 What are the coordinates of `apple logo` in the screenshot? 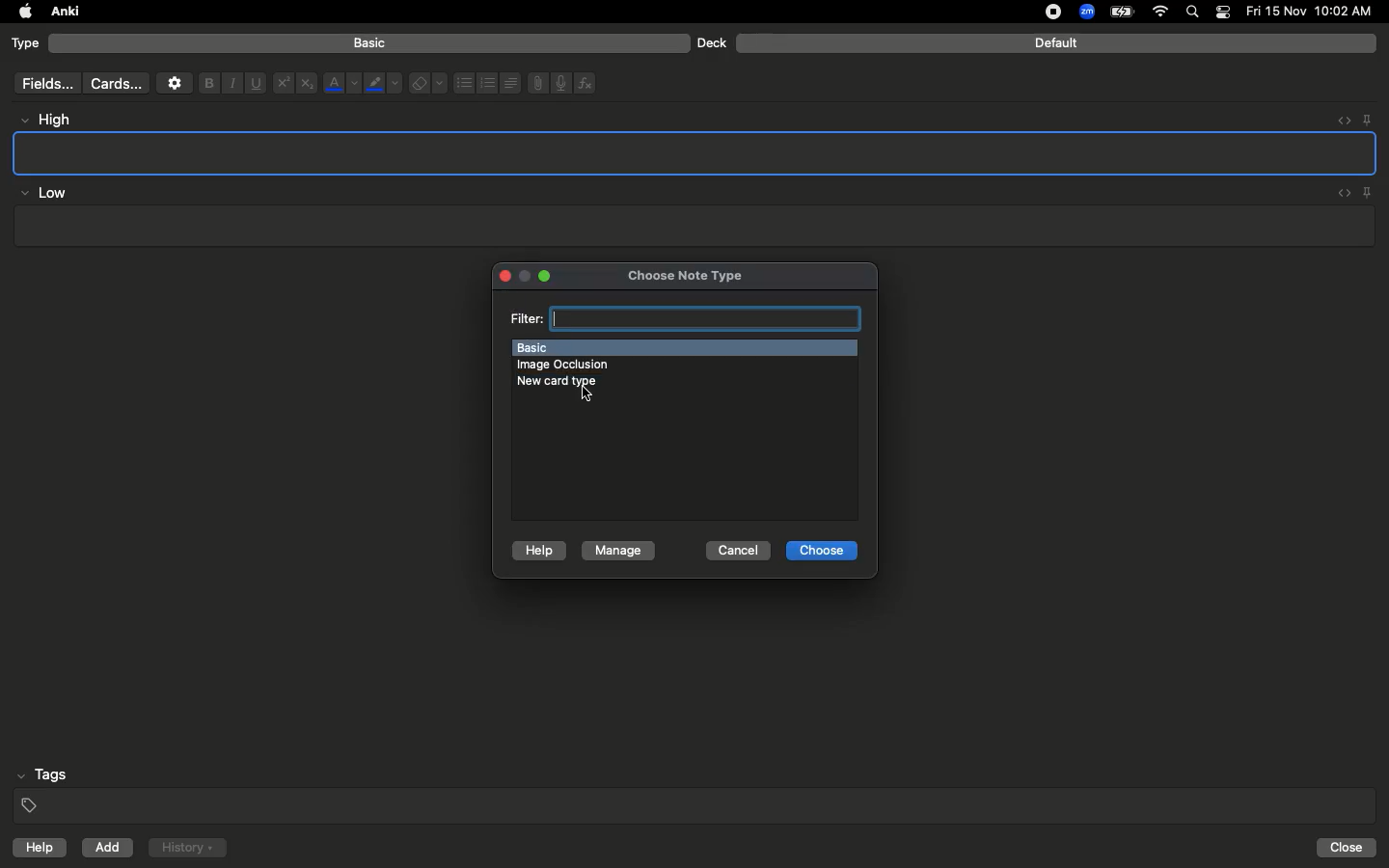 It's located at (20, 12).